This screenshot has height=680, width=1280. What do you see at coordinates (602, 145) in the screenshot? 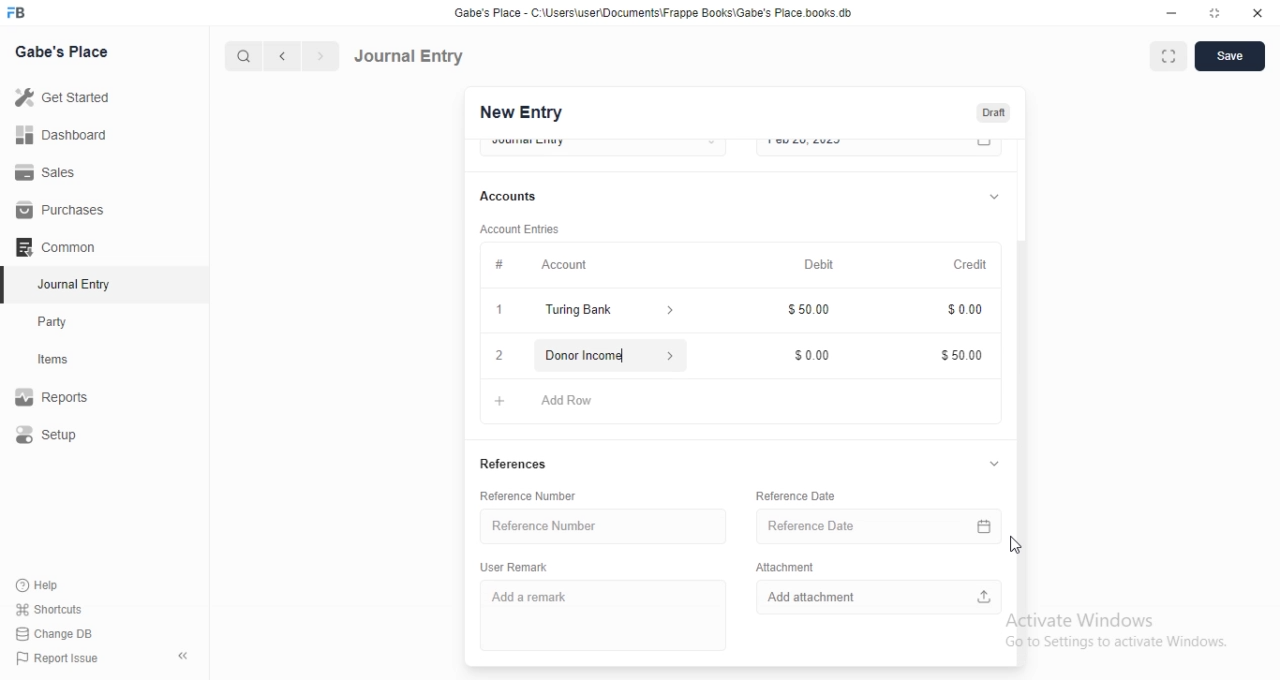
I see `Entry Type` at bounding box center [602, 145].